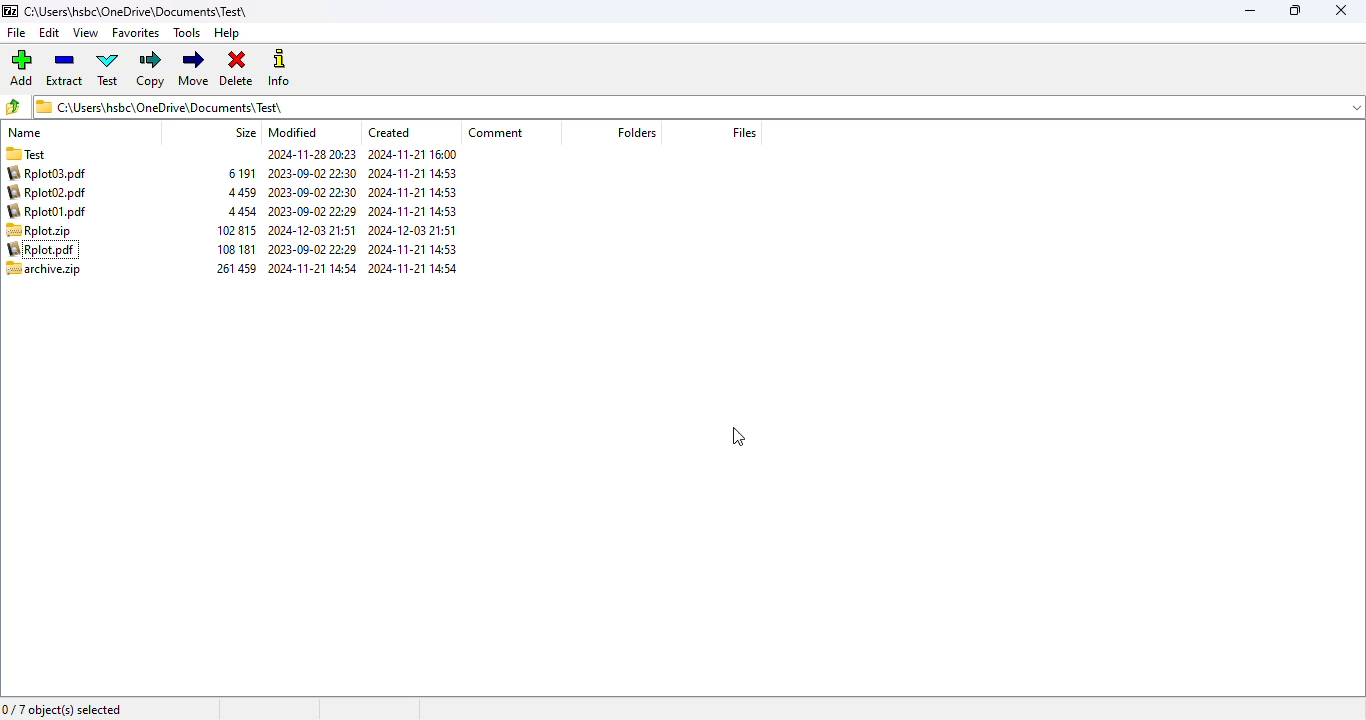  What do you see at coordinates (236, 69) in the screenshot?
I see `delete` at bounding box center [236, 69].